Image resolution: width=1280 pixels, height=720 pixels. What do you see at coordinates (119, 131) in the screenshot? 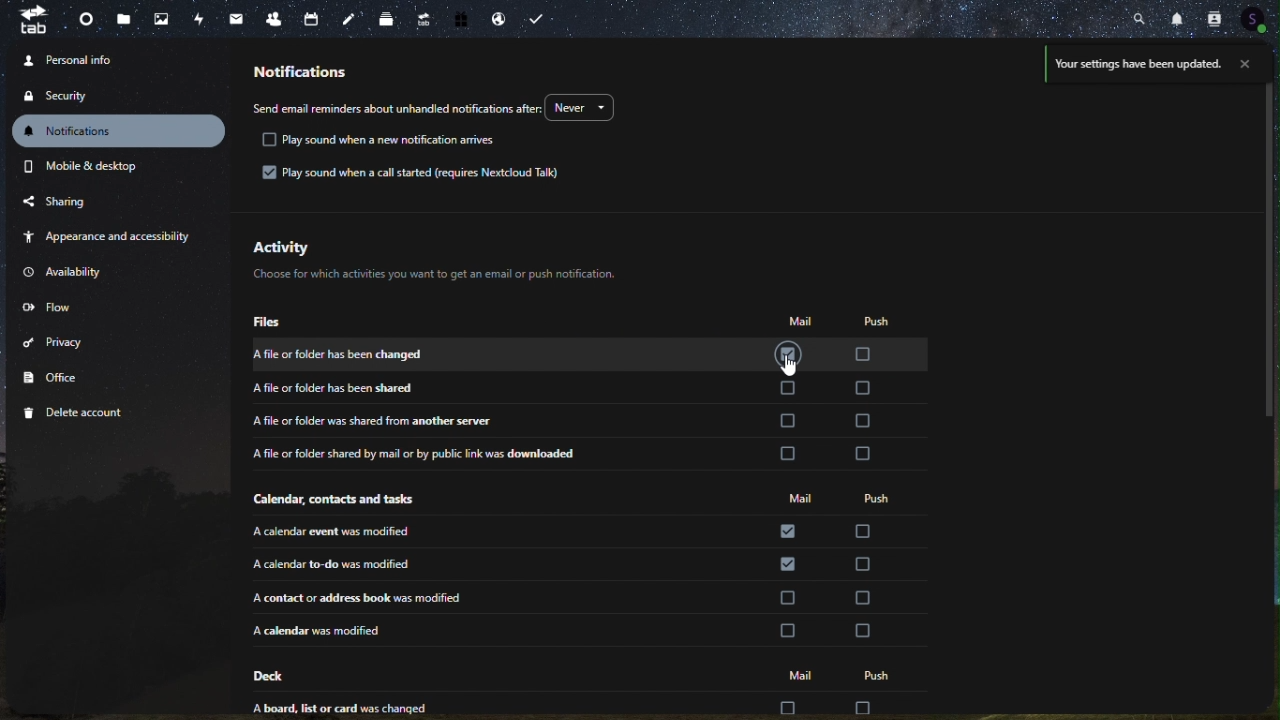
I see `notification` at bounding box center [119, 131].